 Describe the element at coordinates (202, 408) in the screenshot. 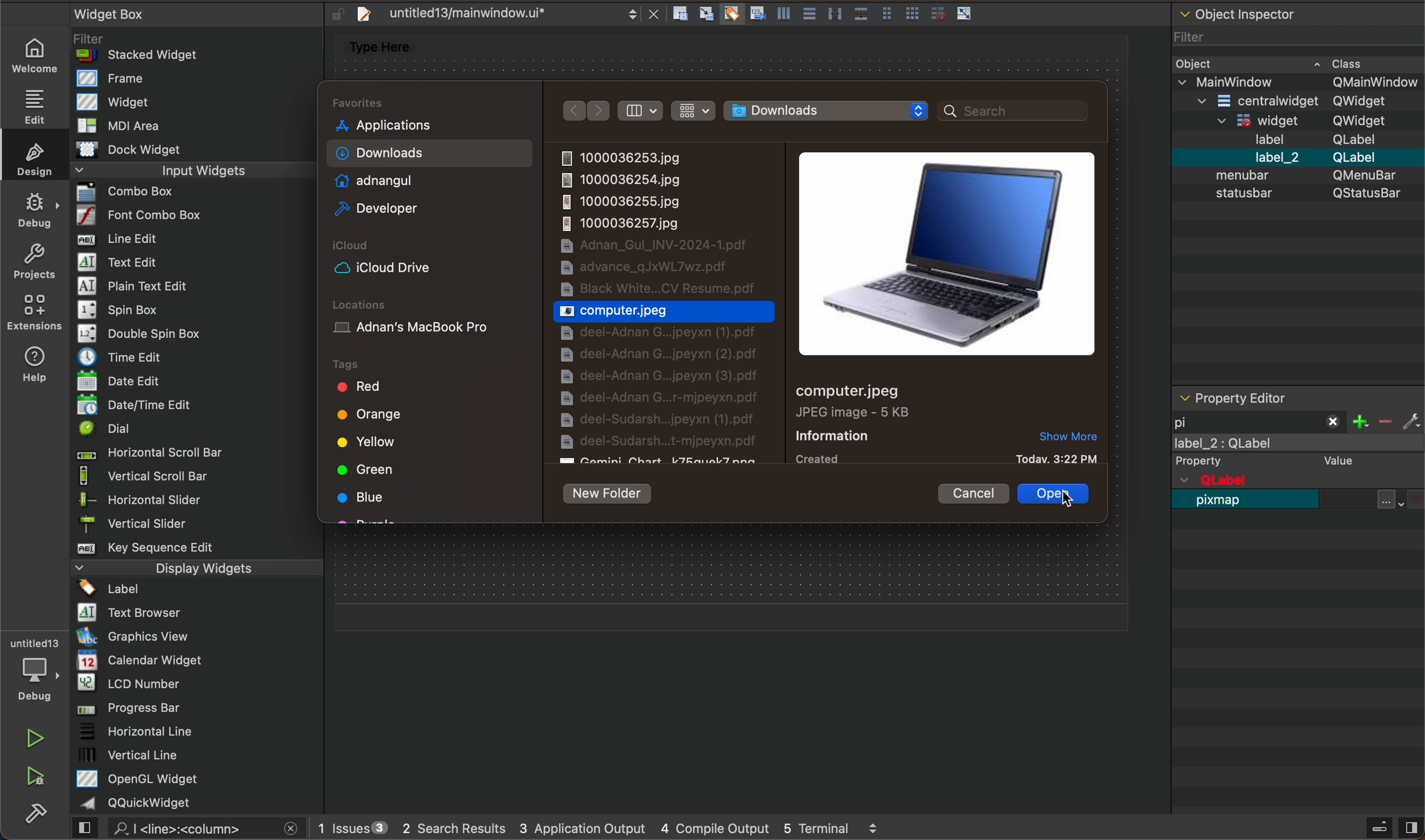

I see `widget box` at that location.